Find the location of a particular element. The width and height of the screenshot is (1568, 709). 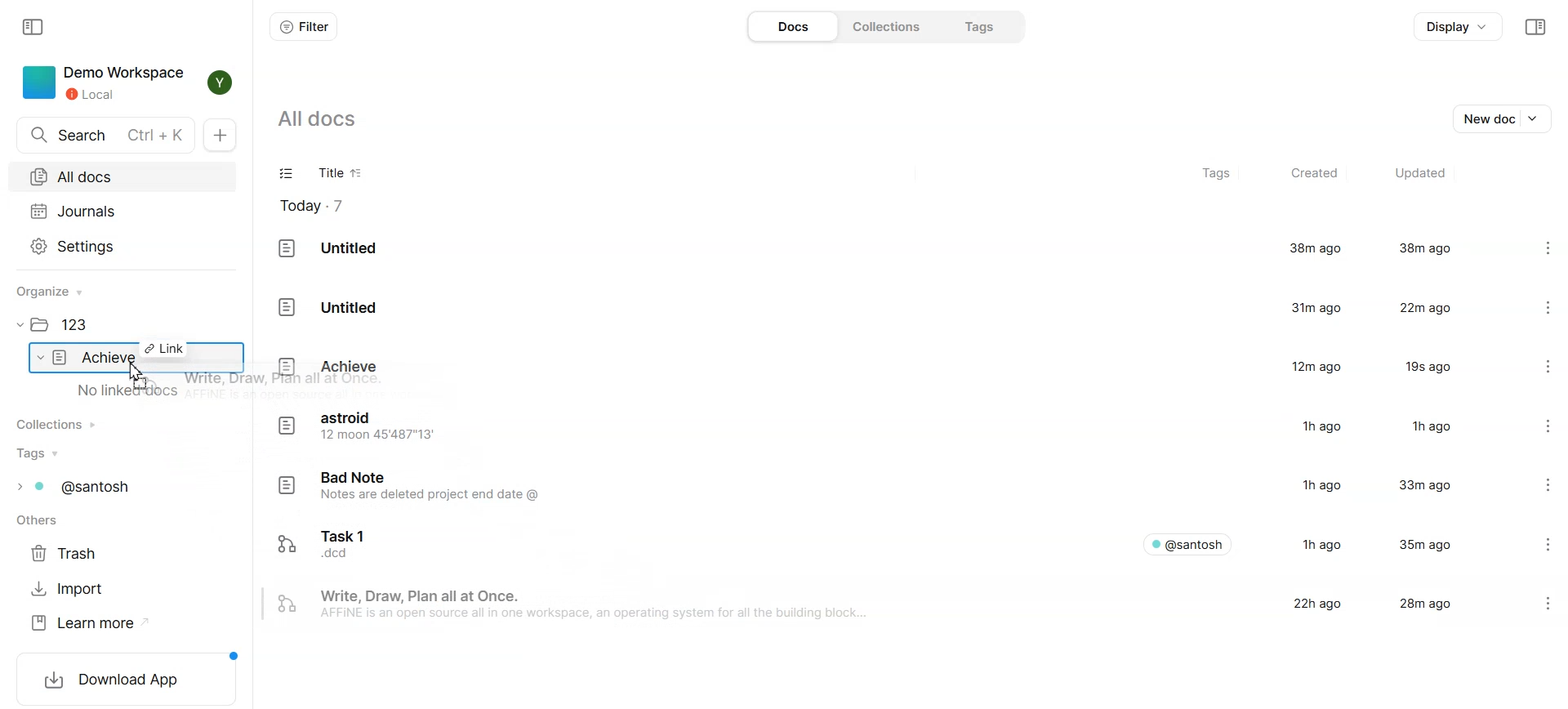

Cursor is located at coordinates (137, 376).